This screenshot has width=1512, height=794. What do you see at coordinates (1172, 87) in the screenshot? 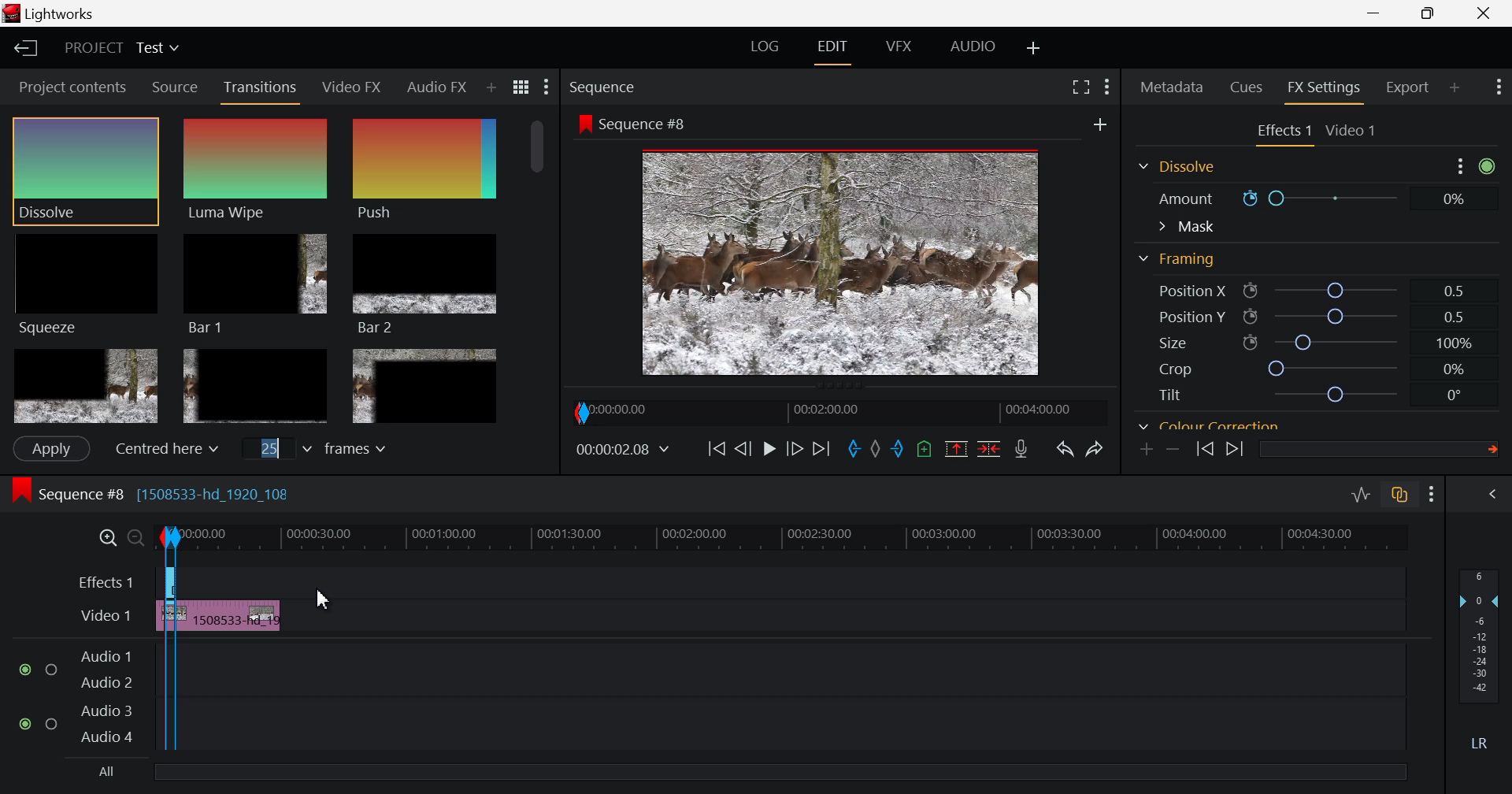
I see `Metadata Tab` at bounding box center [1172, 87].